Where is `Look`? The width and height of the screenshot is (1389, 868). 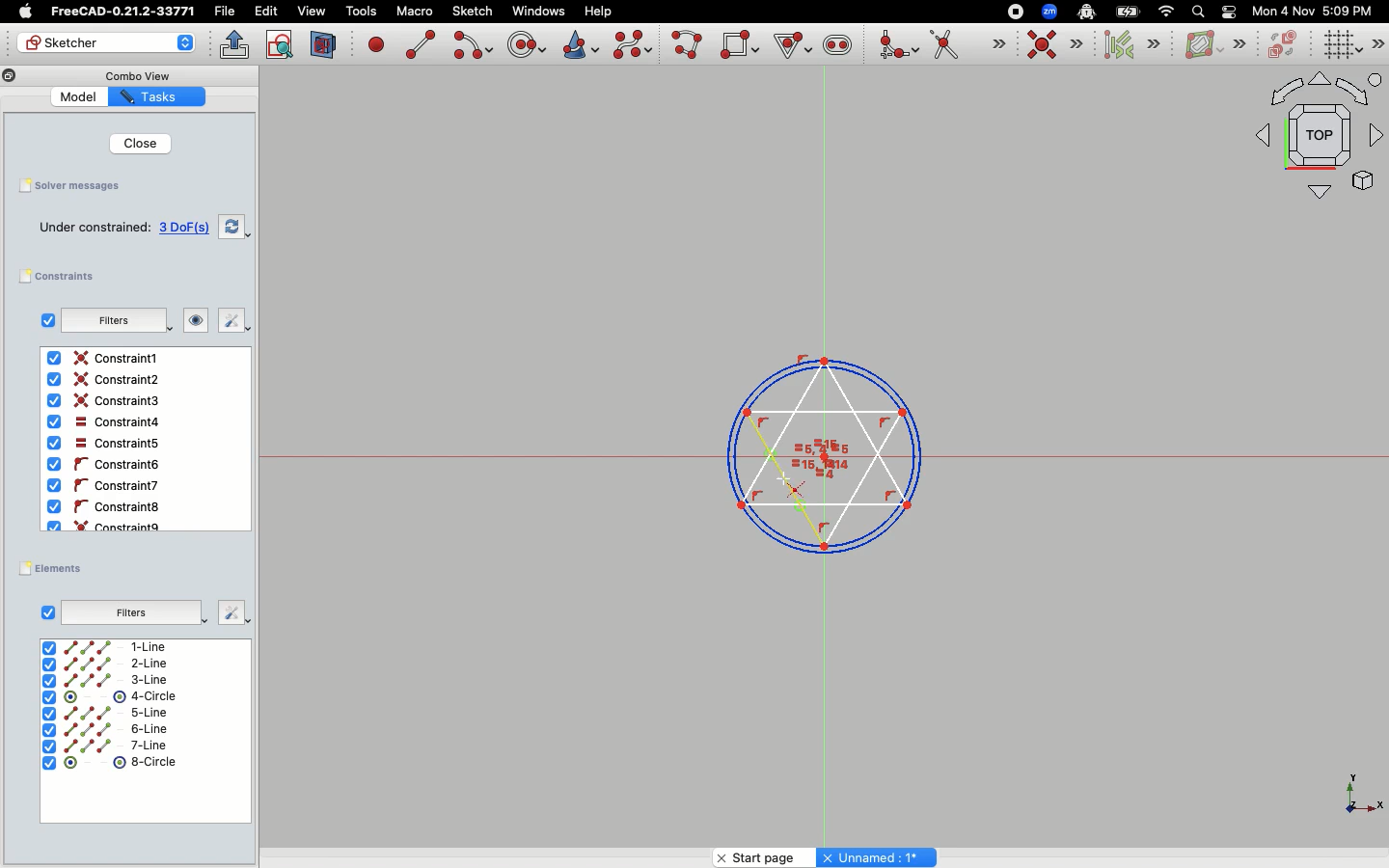
Look is located at coordinates (194, 322).